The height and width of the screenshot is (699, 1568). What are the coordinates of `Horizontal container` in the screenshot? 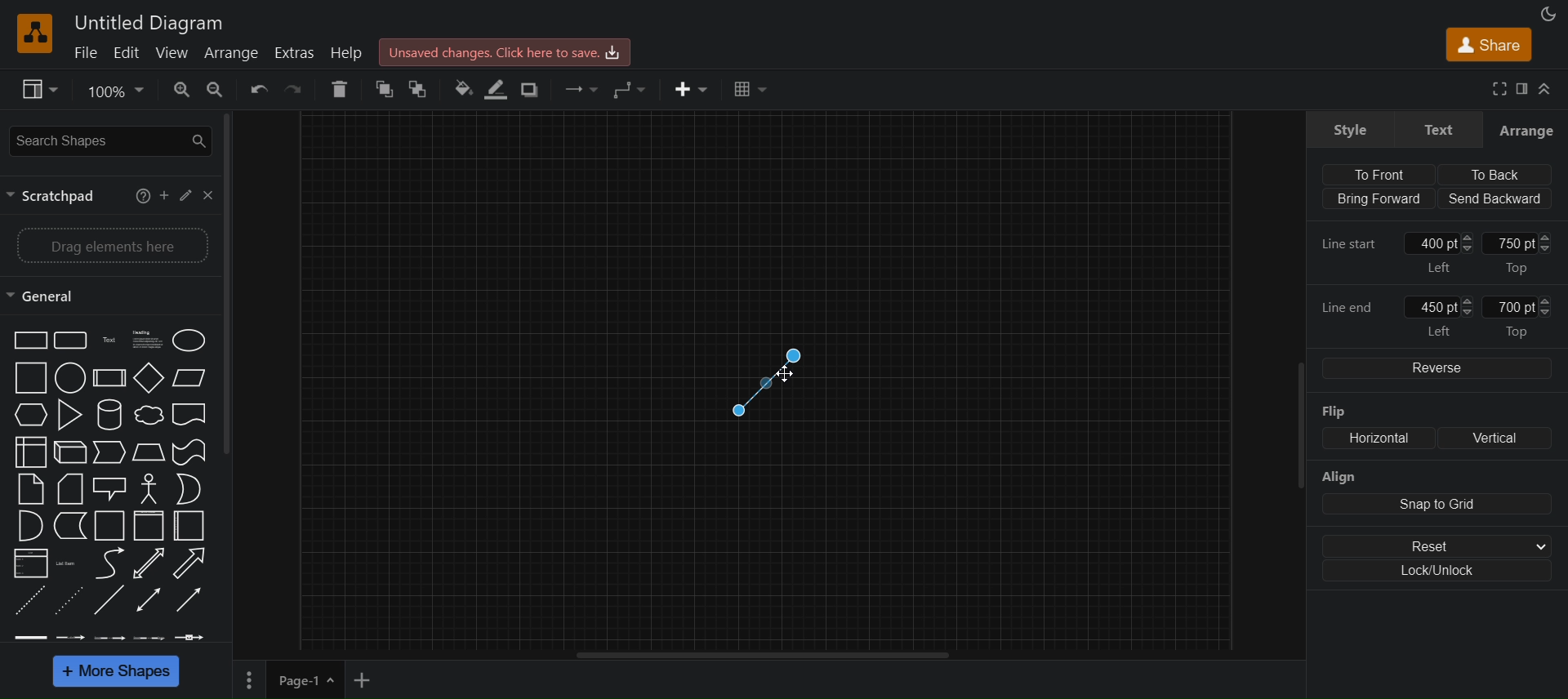 It's located at (193, 527).